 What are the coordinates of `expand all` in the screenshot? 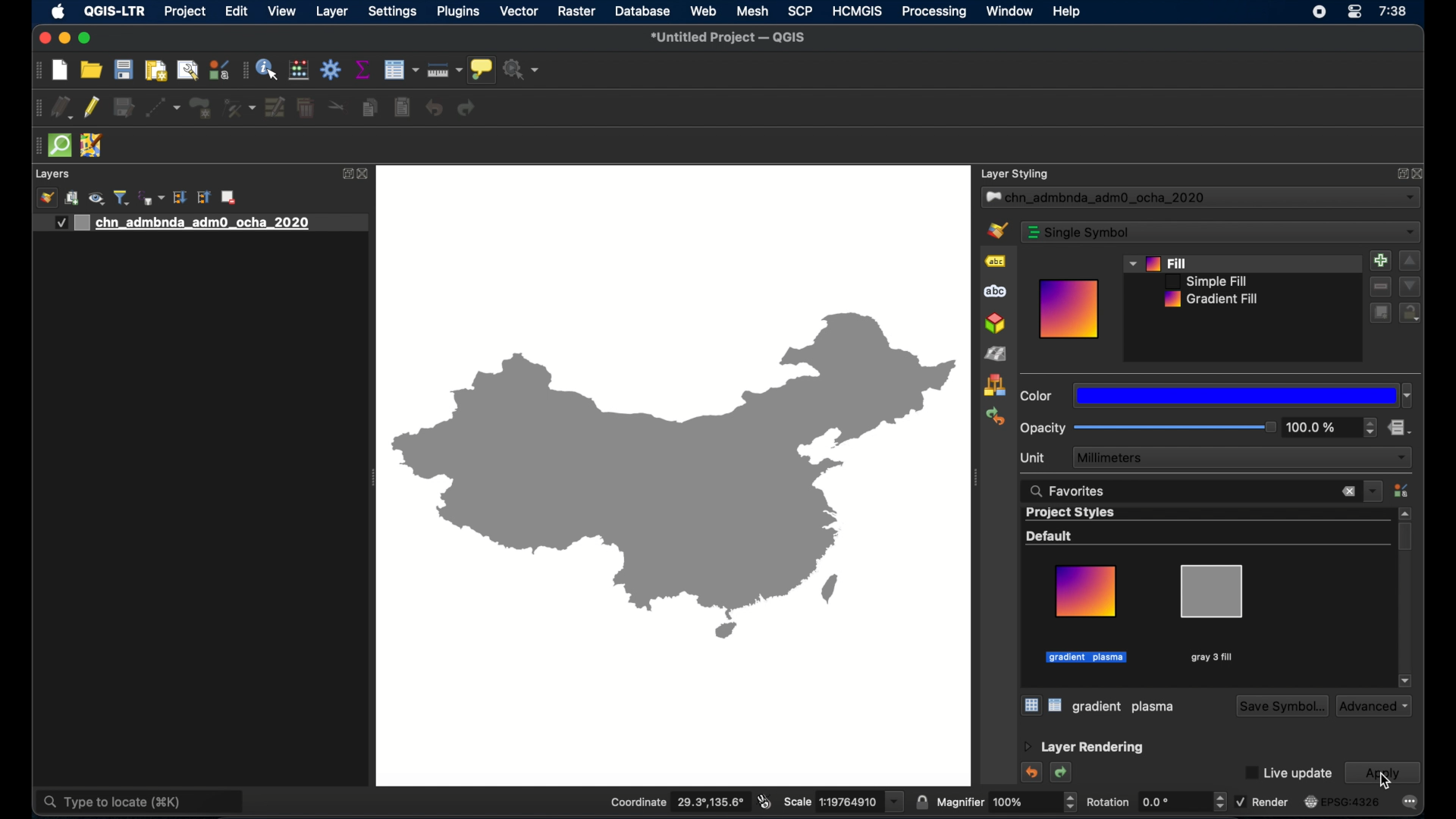 It's located at (180, 199).